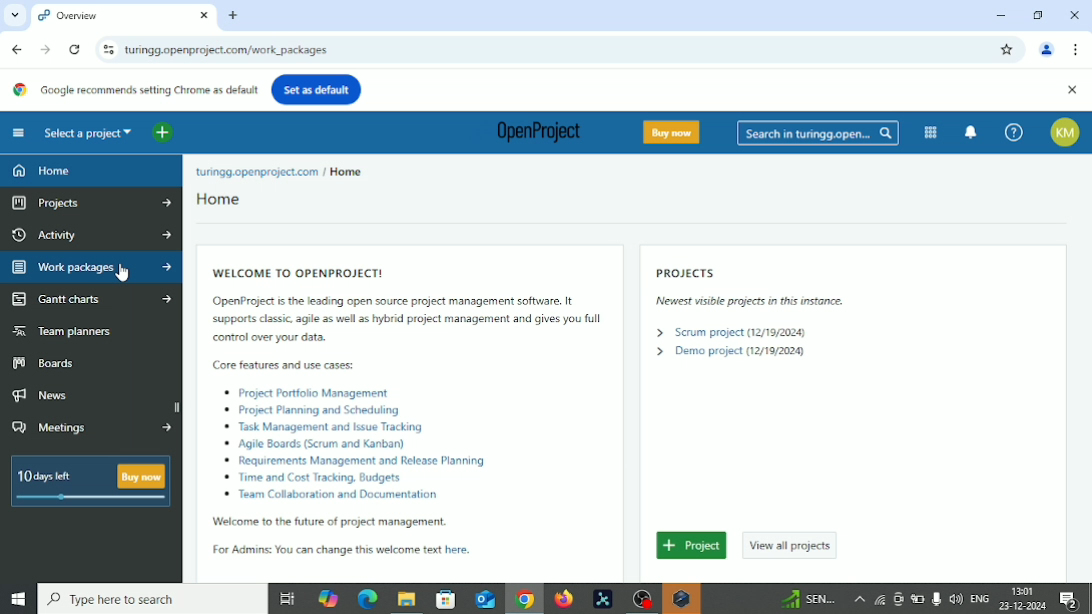  I want to click on Language, so click(981, 599).